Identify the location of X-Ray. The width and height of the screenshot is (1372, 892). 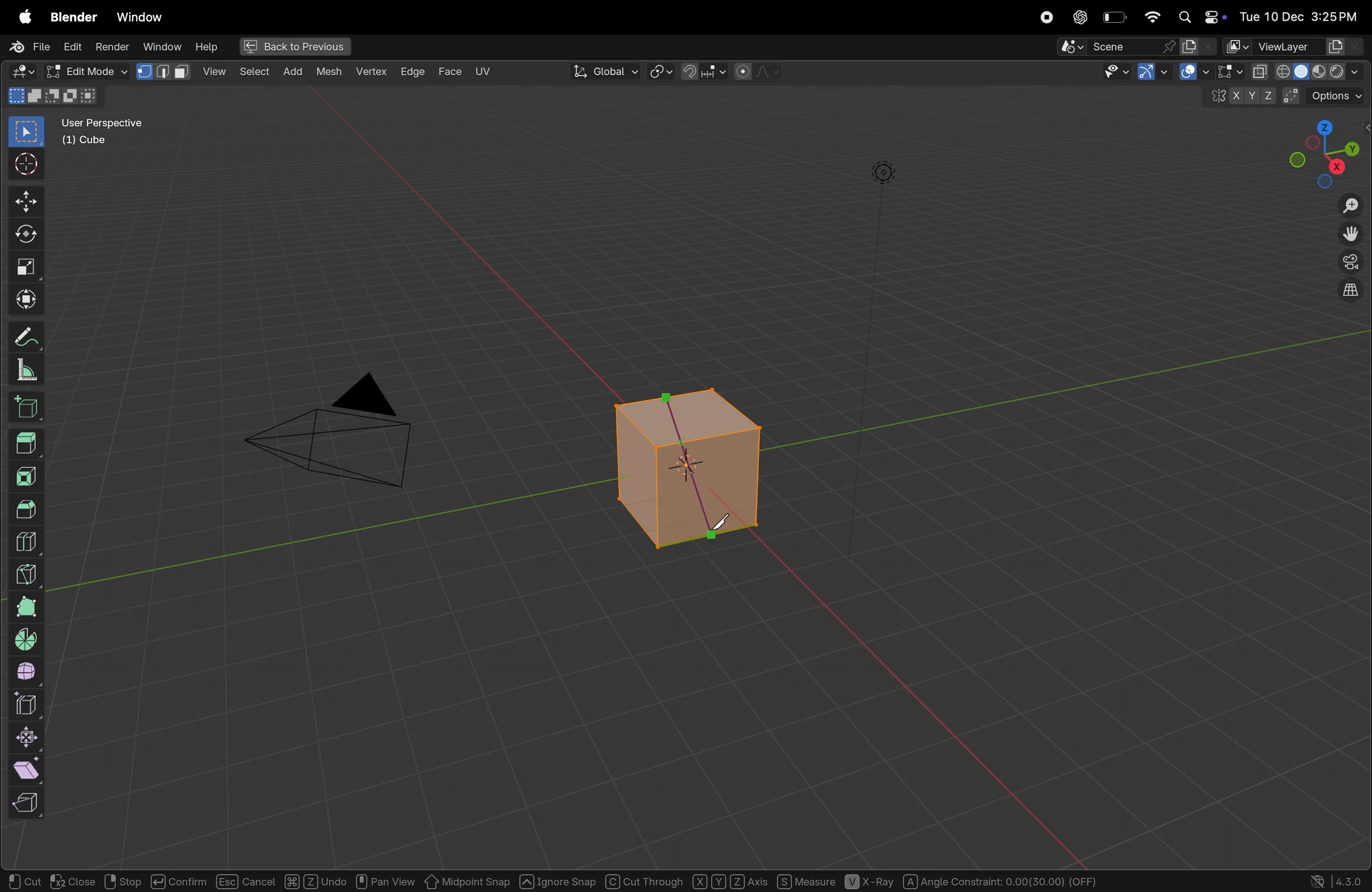
(870, 882).